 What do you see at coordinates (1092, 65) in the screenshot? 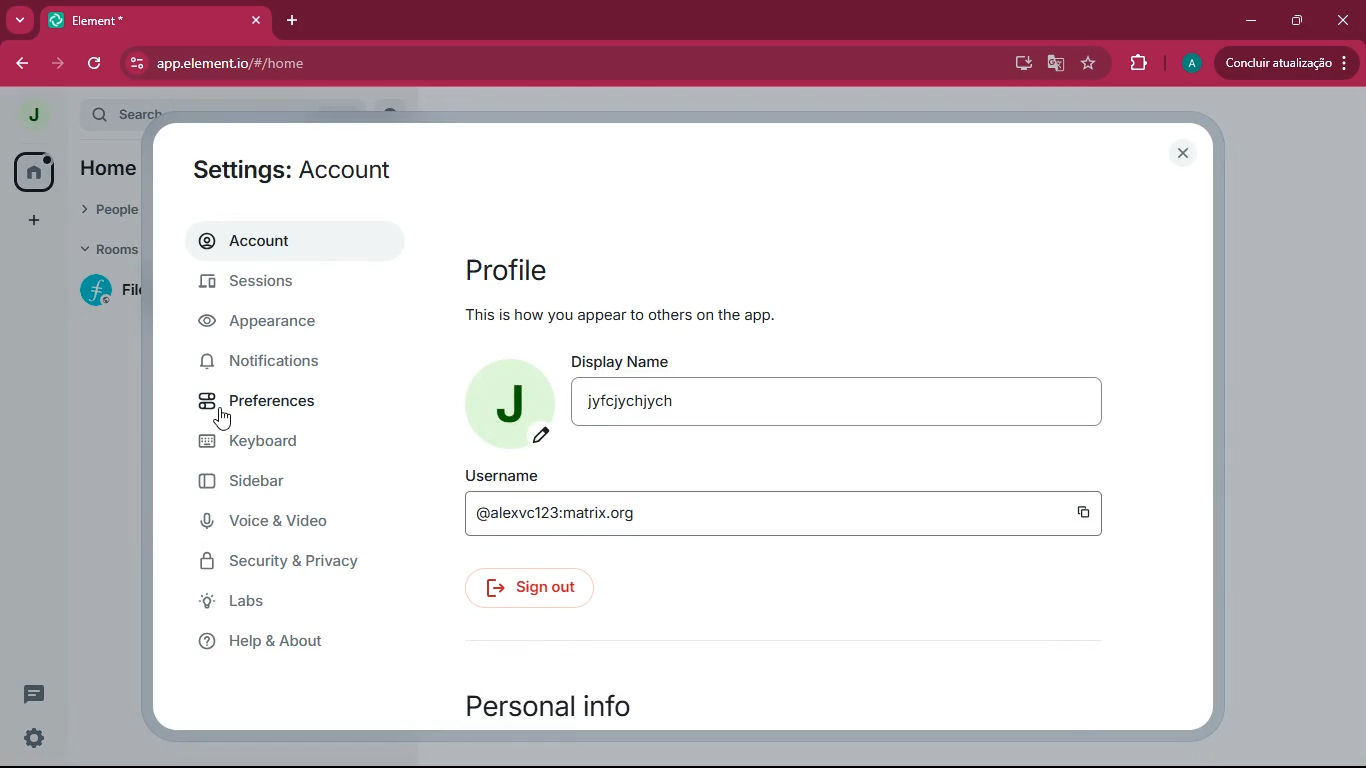
I see `favourite` at bounding box center [1092, 65].